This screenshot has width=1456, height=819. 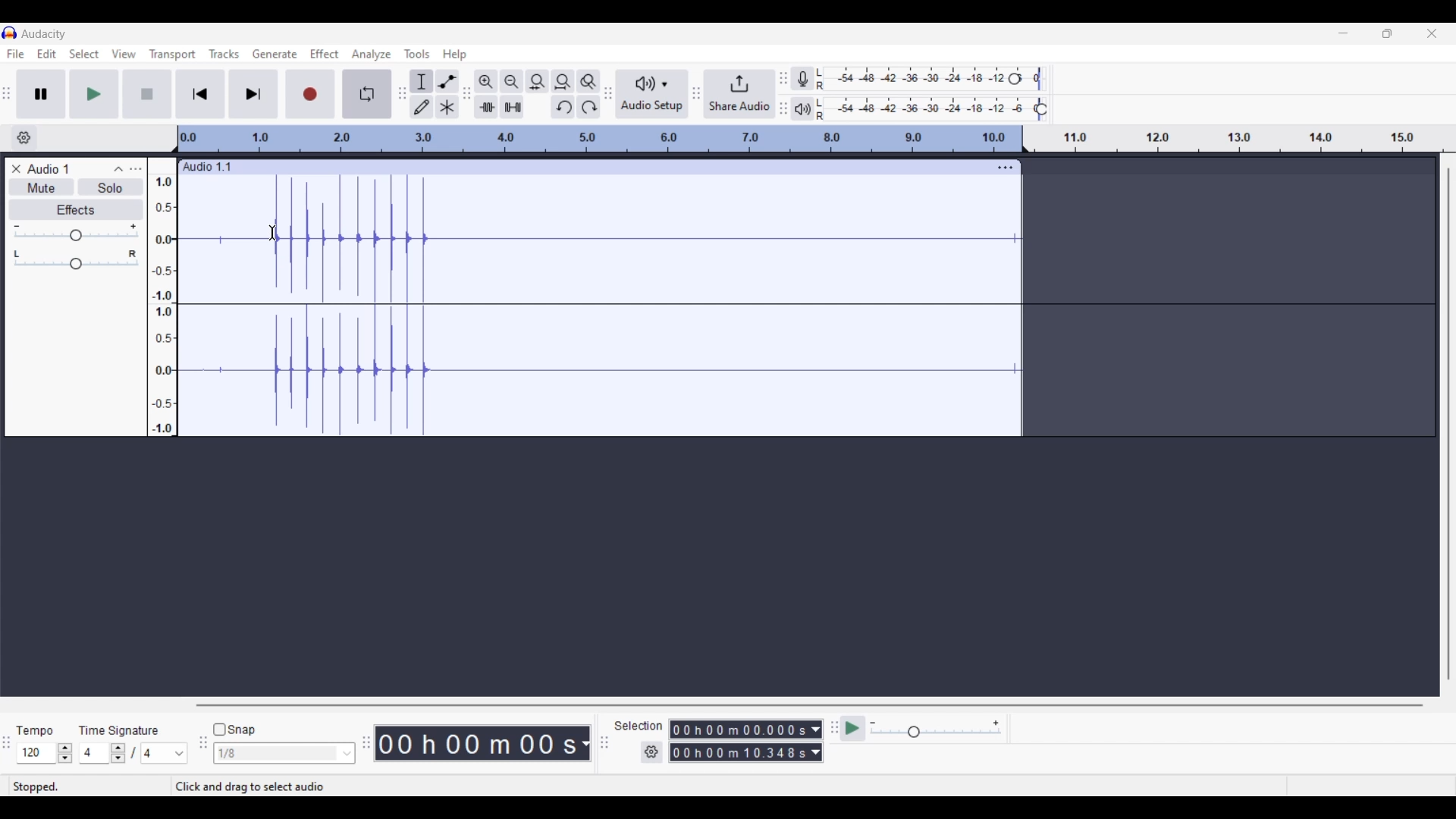 I want to click on Vertical slide bar, so click(x=1448, y=423).